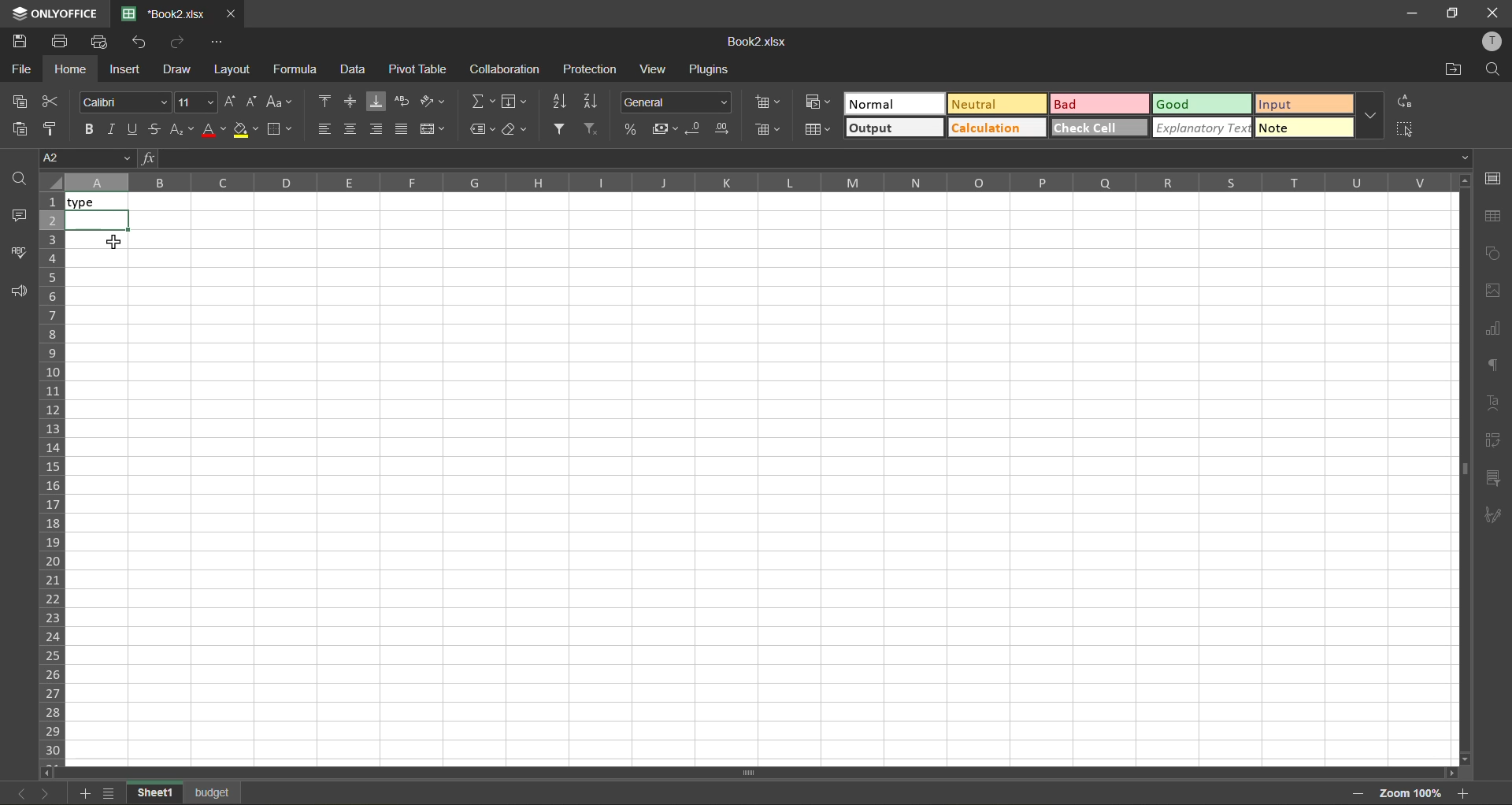 This screenshot has height=805, width=1512. I want to click on delete cells , so click(766, 130).